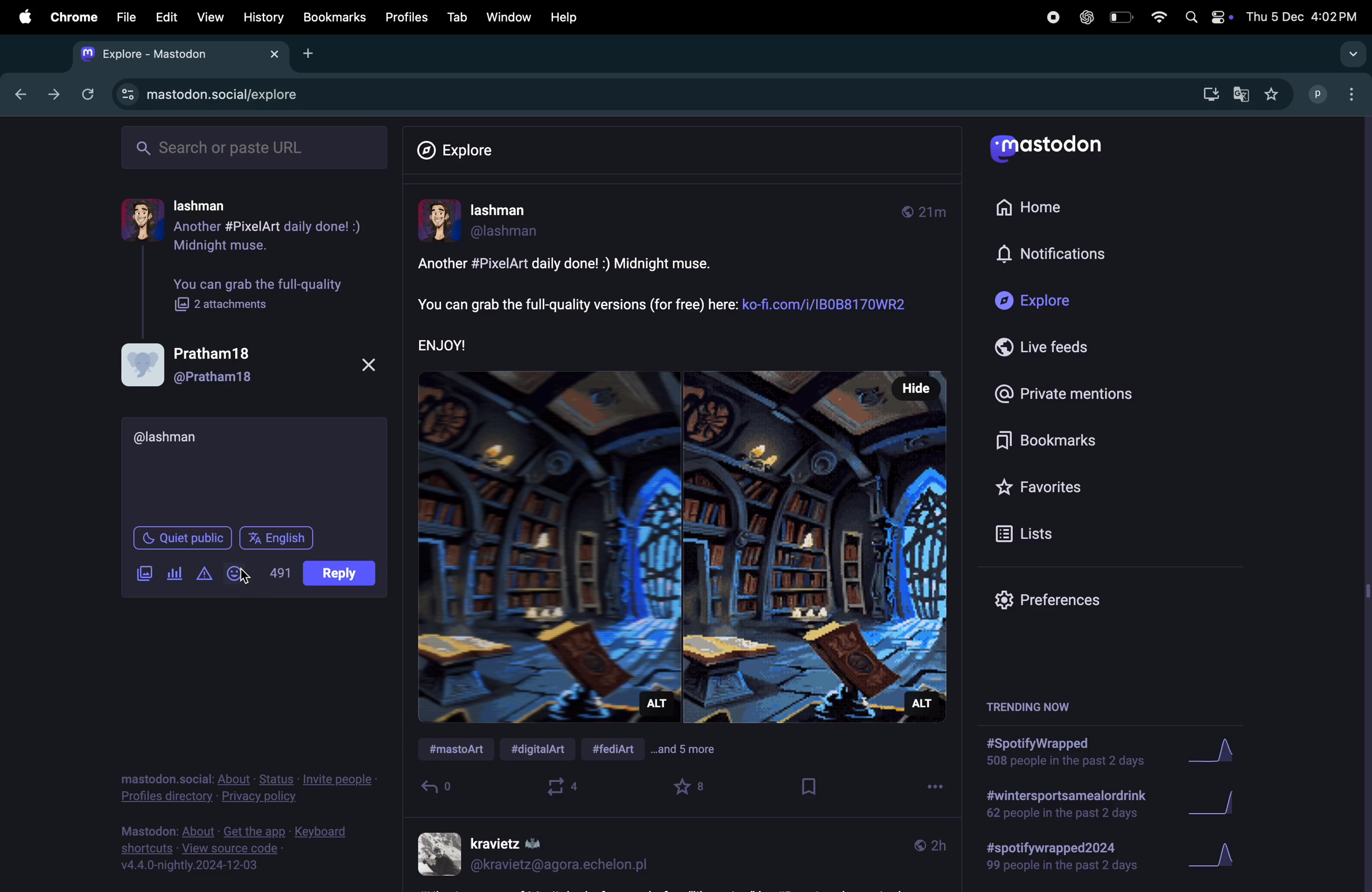 The height and width of the screenshot is (892, 1372). What do you see at coordinates (1064, 440) in the screenshot?
I see `book marks` at bounding box center [1064, 440].